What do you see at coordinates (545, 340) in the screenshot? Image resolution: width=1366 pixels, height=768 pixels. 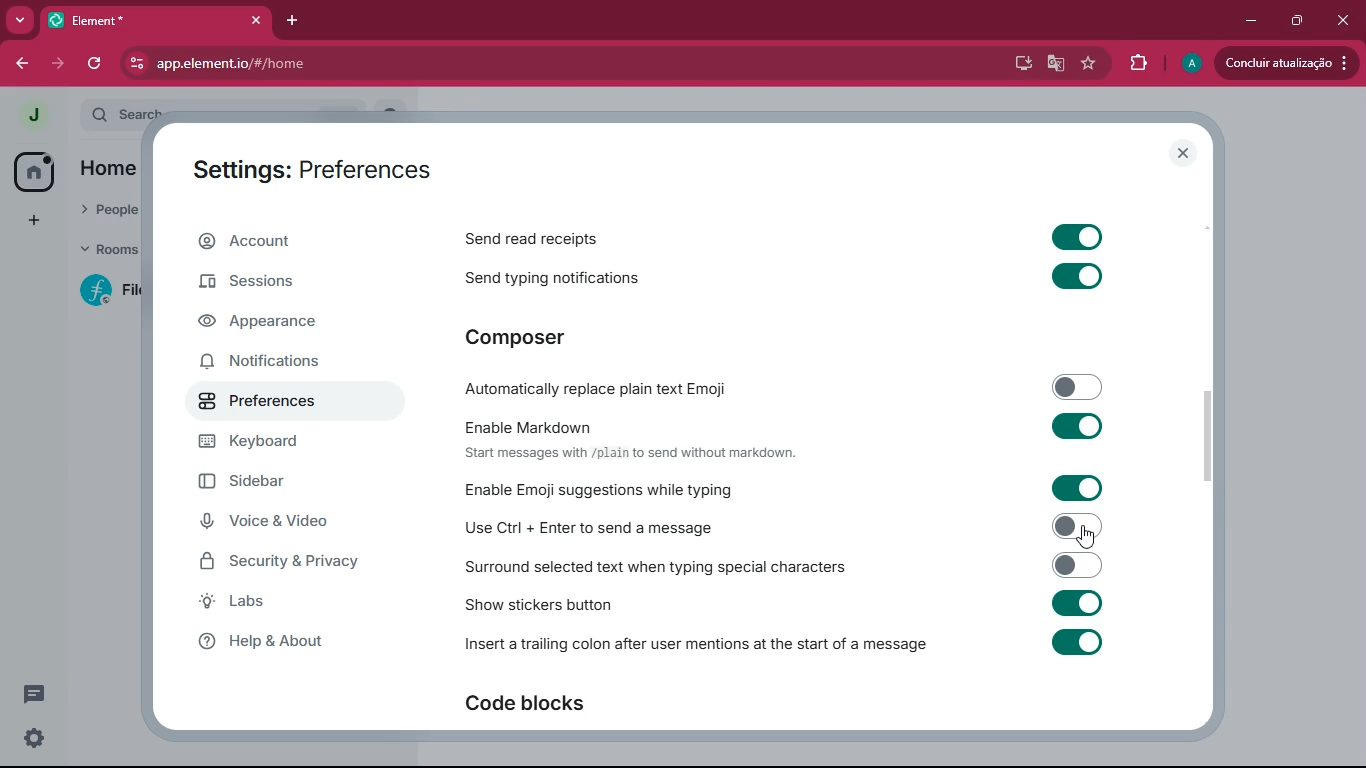 I see `composer` at bounding box center [545, 340].